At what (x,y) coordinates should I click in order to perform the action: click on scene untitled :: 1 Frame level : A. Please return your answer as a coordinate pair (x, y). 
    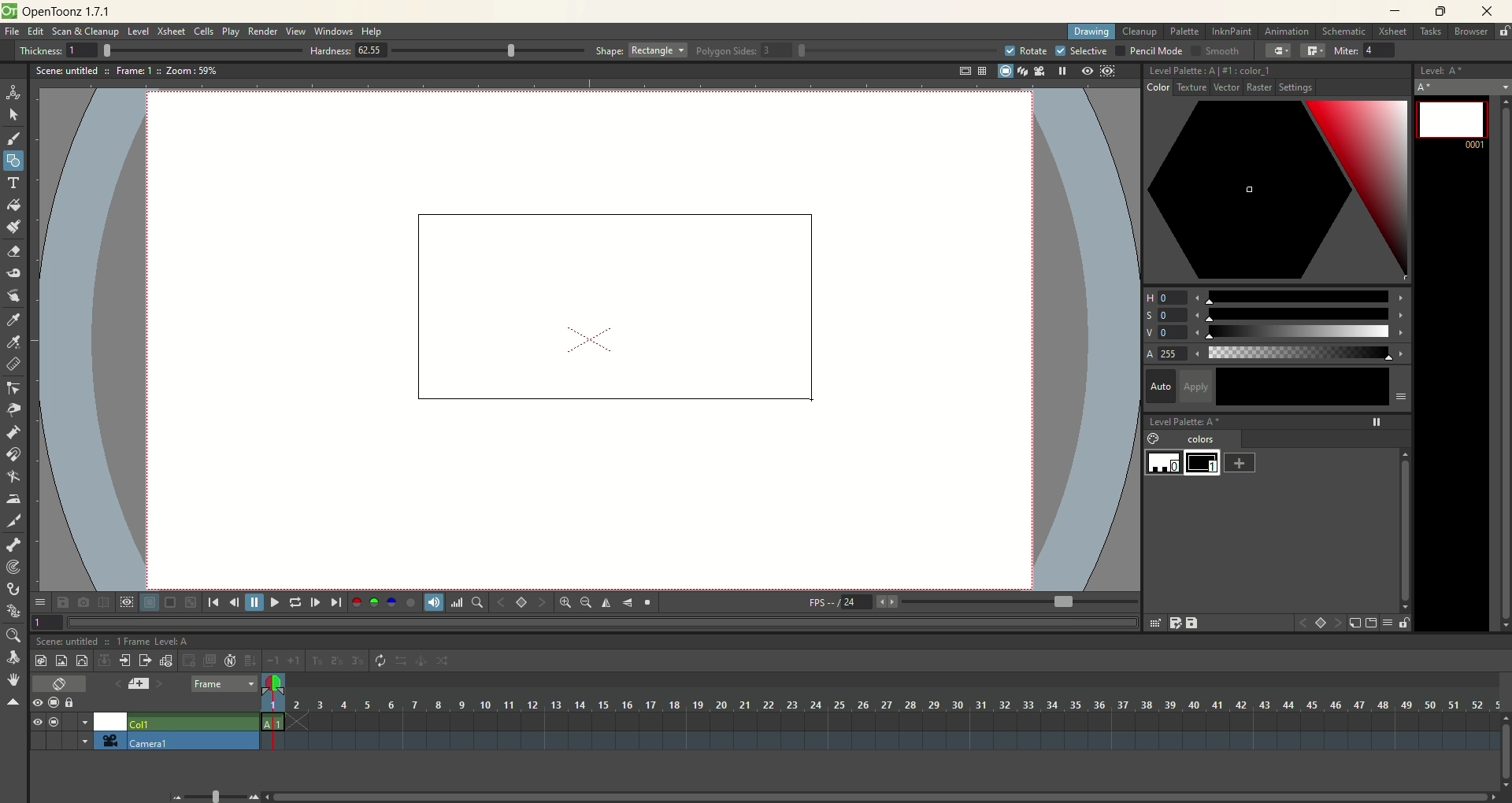
    Looking at the image, I should click on (117, 642).